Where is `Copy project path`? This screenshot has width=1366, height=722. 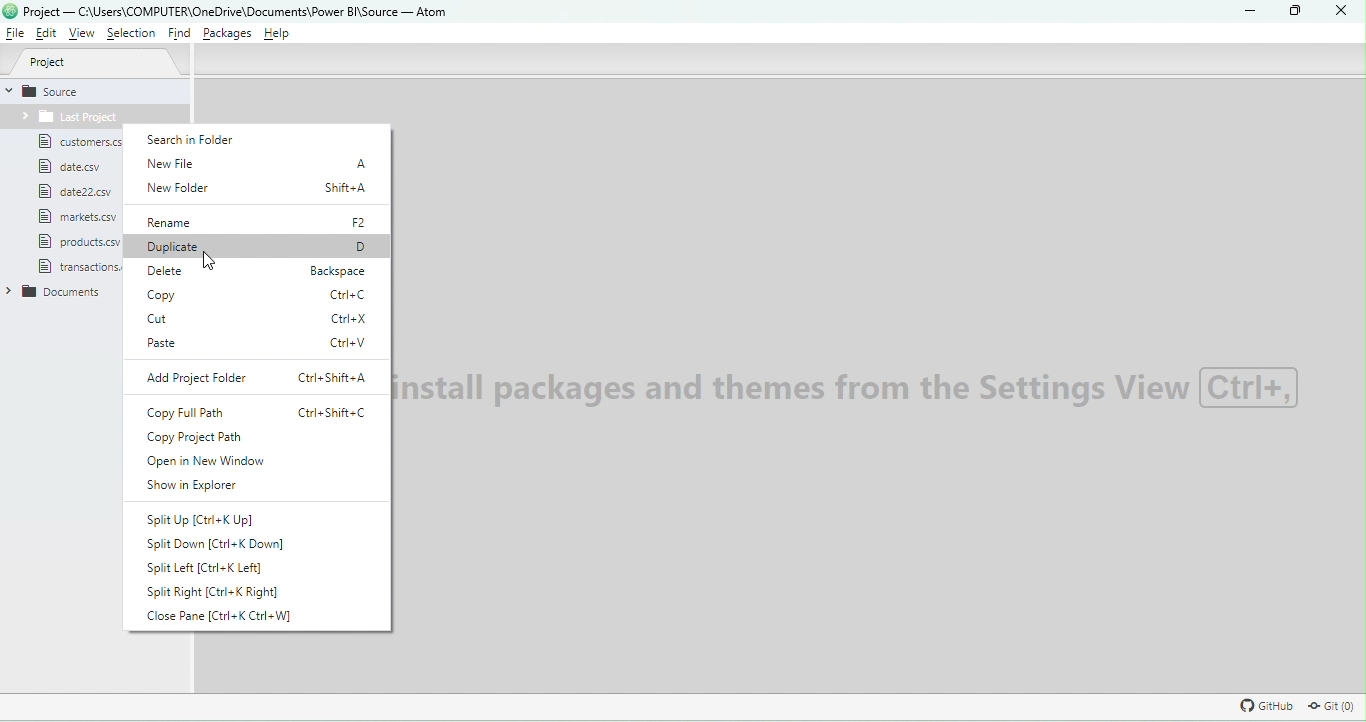
Copy project path is located at coordinates (258, 437).